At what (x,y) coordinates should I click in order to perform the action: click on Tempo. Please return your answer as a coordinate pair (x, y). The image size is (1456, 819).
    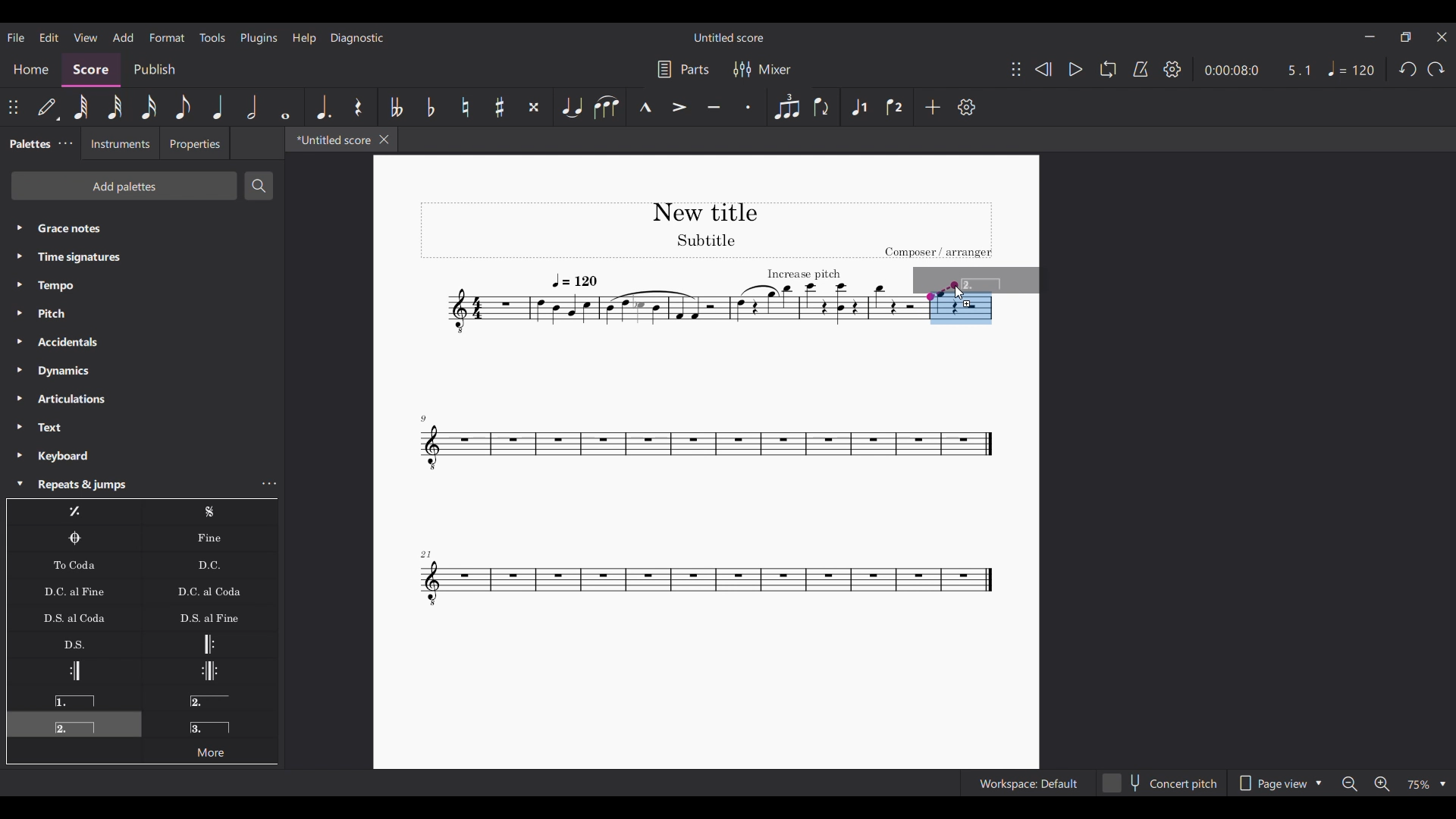
    Looking at the image, I should click on (142, 286).